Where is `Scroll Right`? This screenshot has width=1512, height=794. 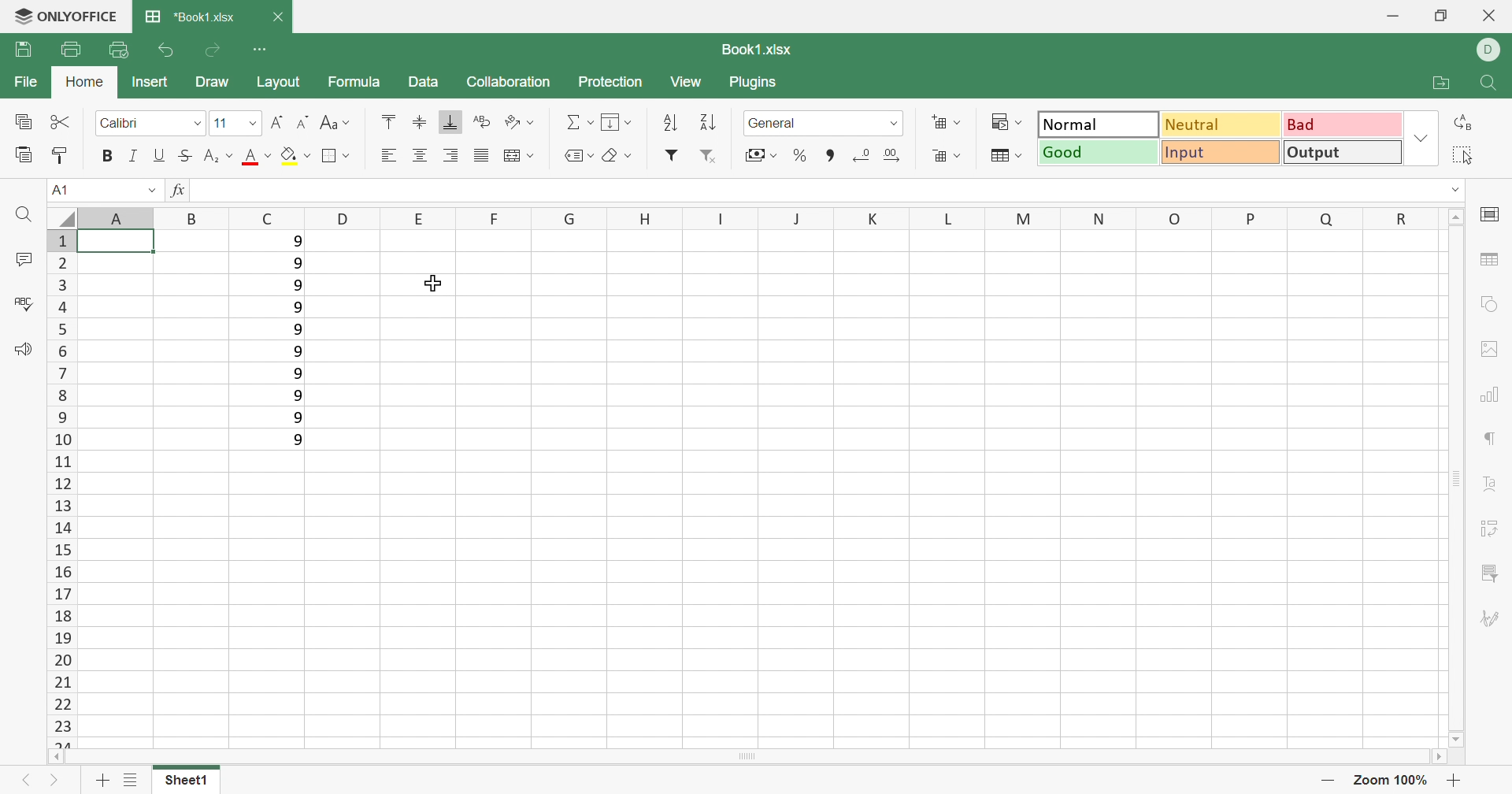
Scroll Right is located at coordinates (1440, 759).